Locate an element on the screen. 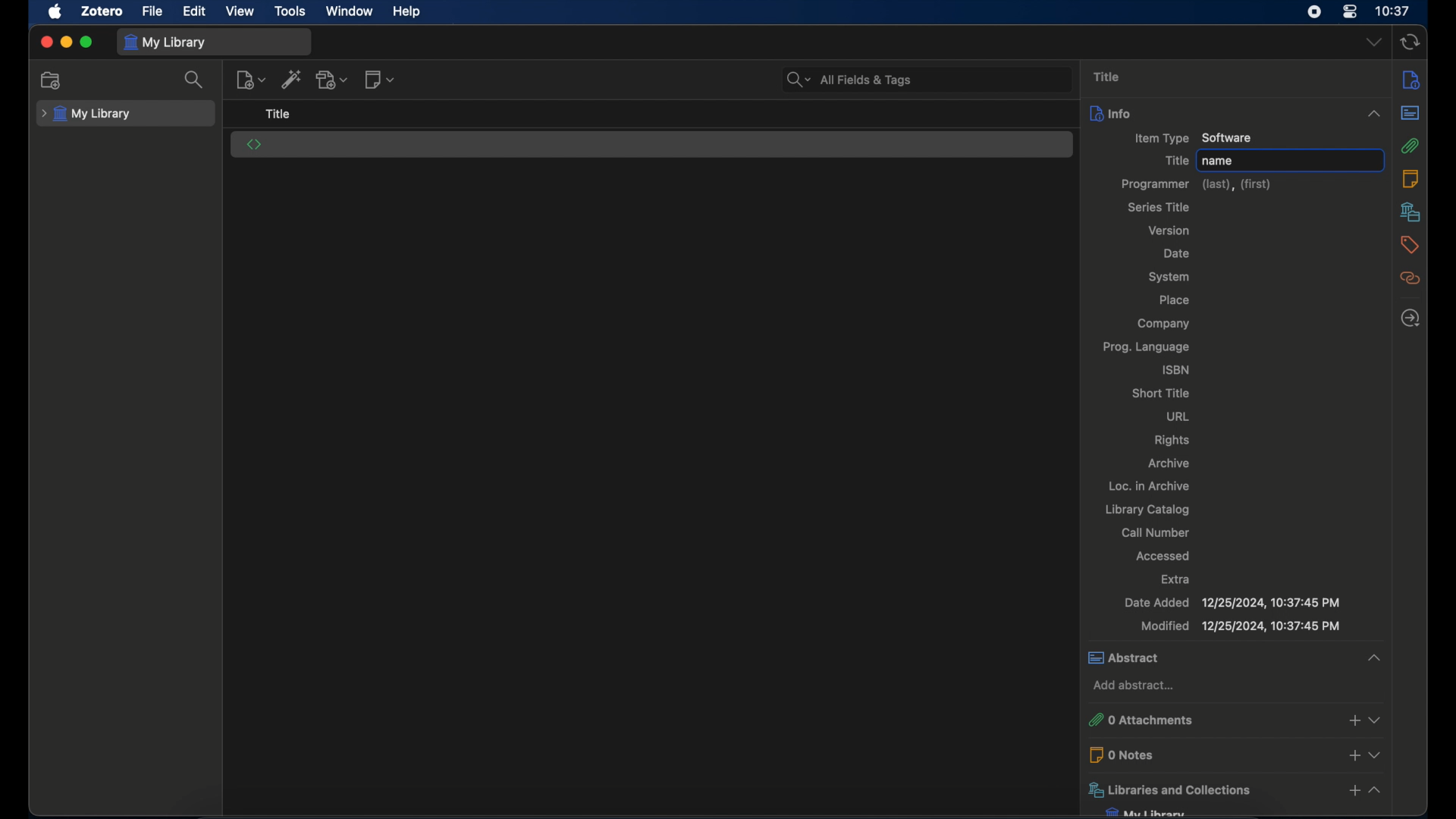 The height and width of the screenshot is (819, 1456). dropdown is located at coordinates (1376, 754).